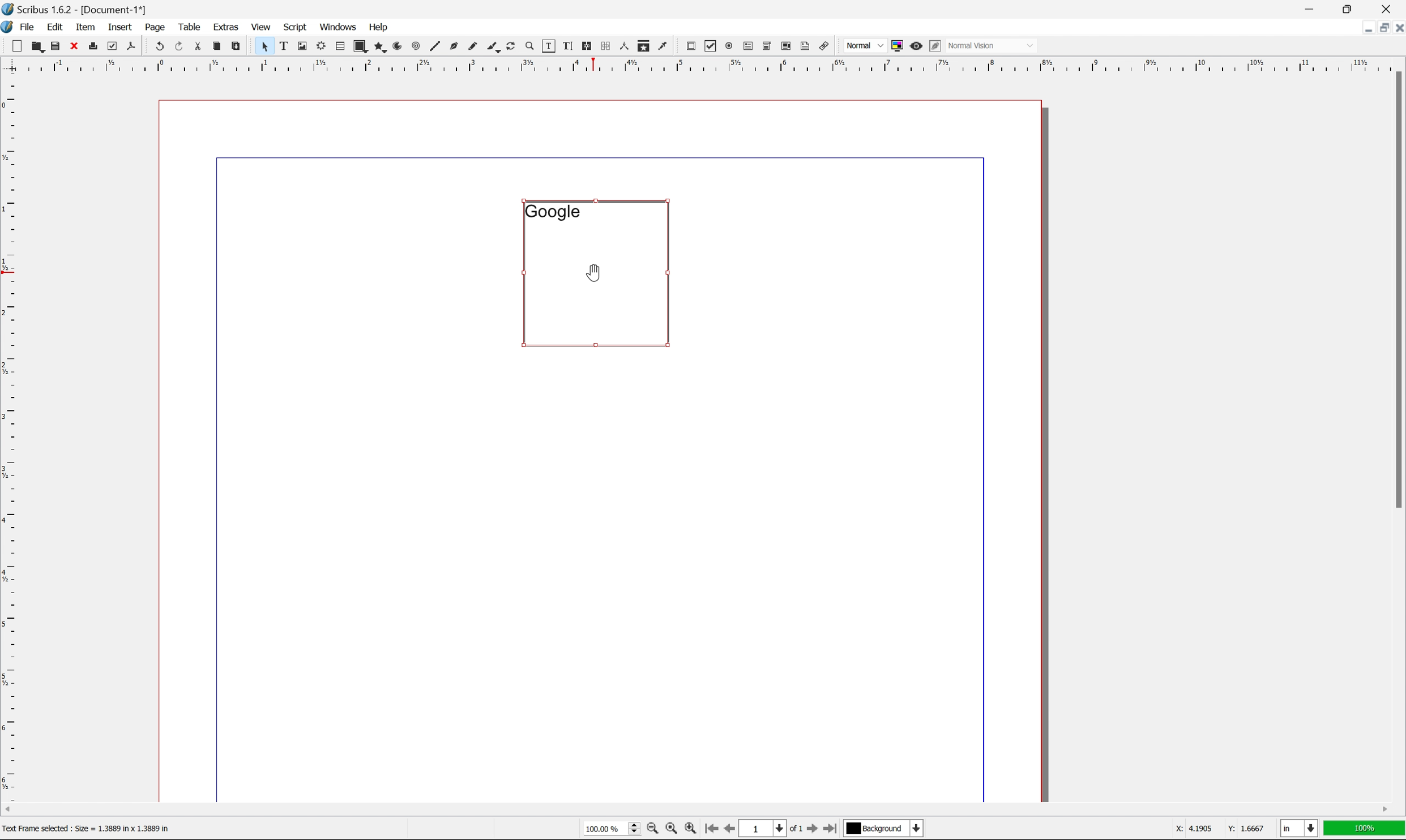  Describe the element at coordinates (702, 64) in the screenshot. I see `ruler` at that location.